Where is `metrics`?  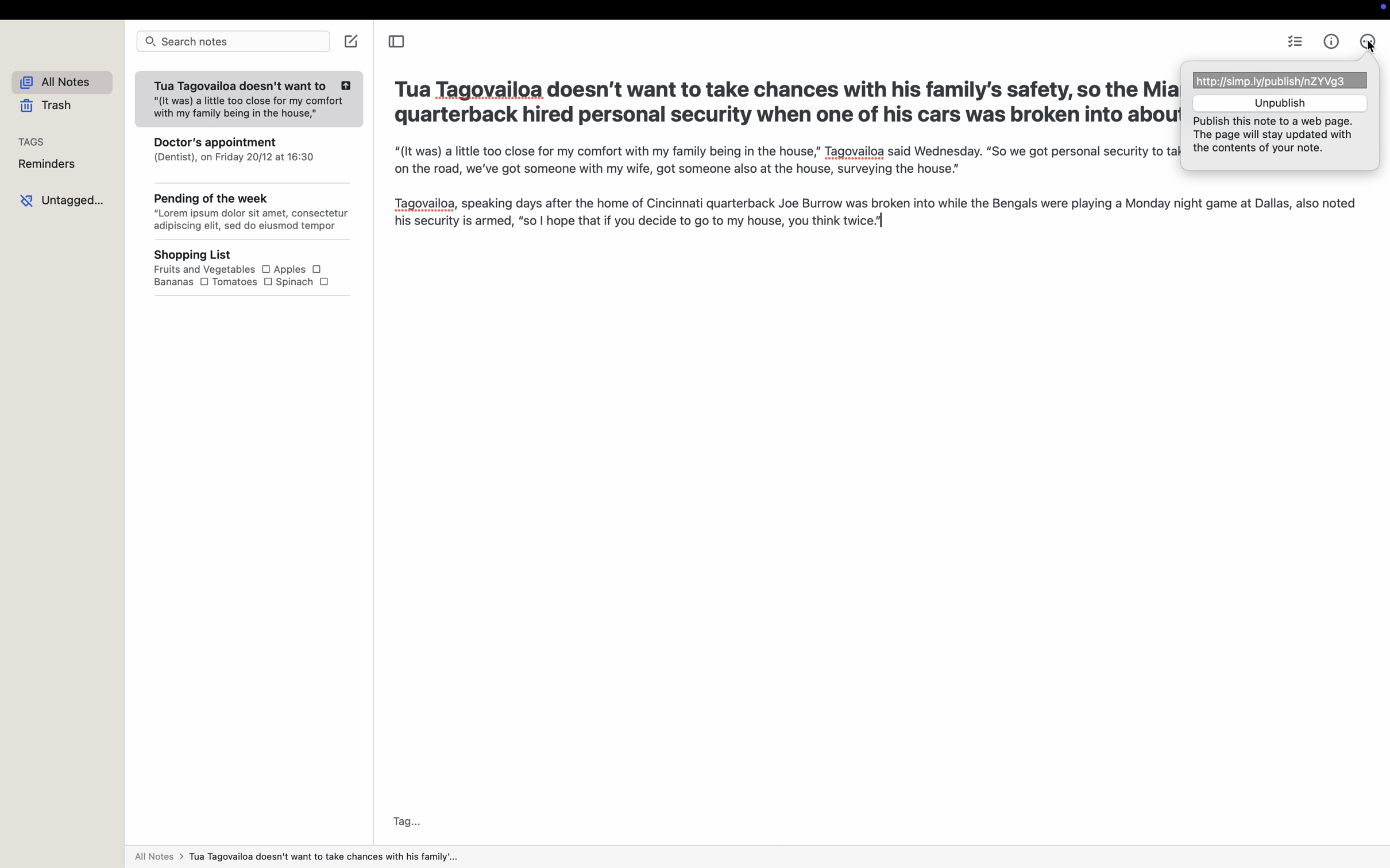
metrics is located at coordinates (1333, 41).